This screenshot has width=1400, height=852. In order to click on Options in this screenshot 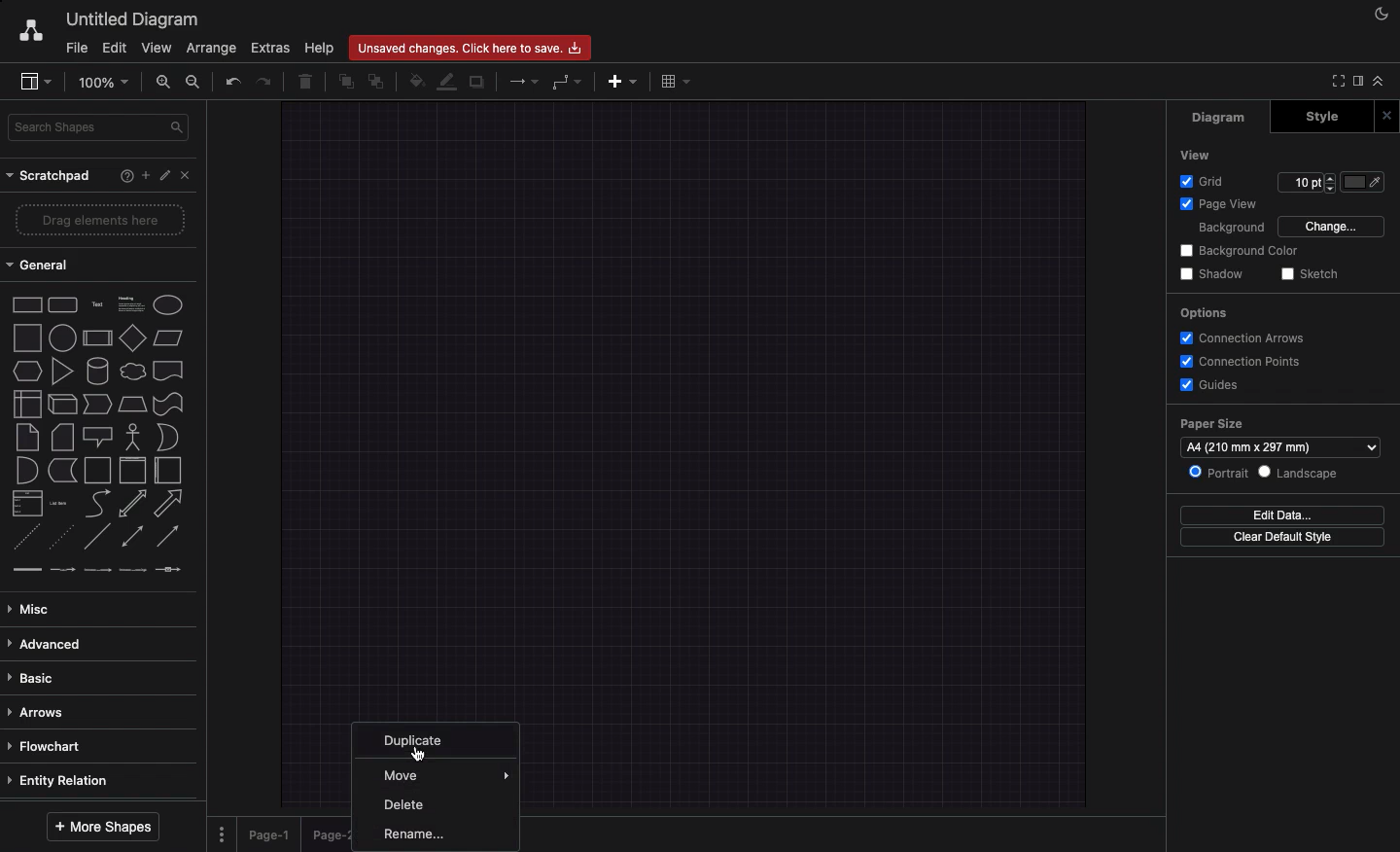, I will do `click(1204, 313)`.